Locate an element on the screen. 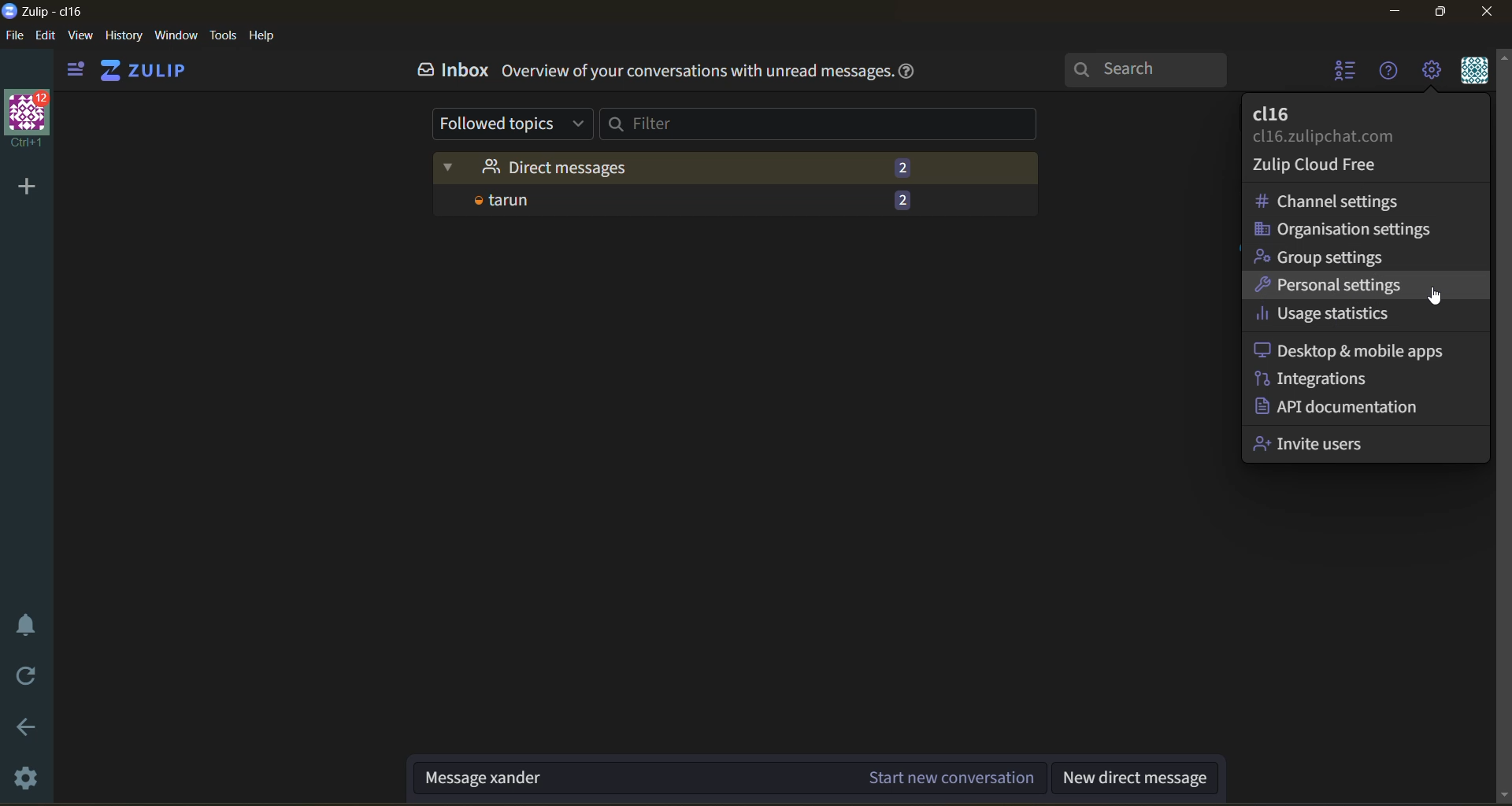 This screenshot has height=806, width=1512. go back is located at coordinates (28, 733).